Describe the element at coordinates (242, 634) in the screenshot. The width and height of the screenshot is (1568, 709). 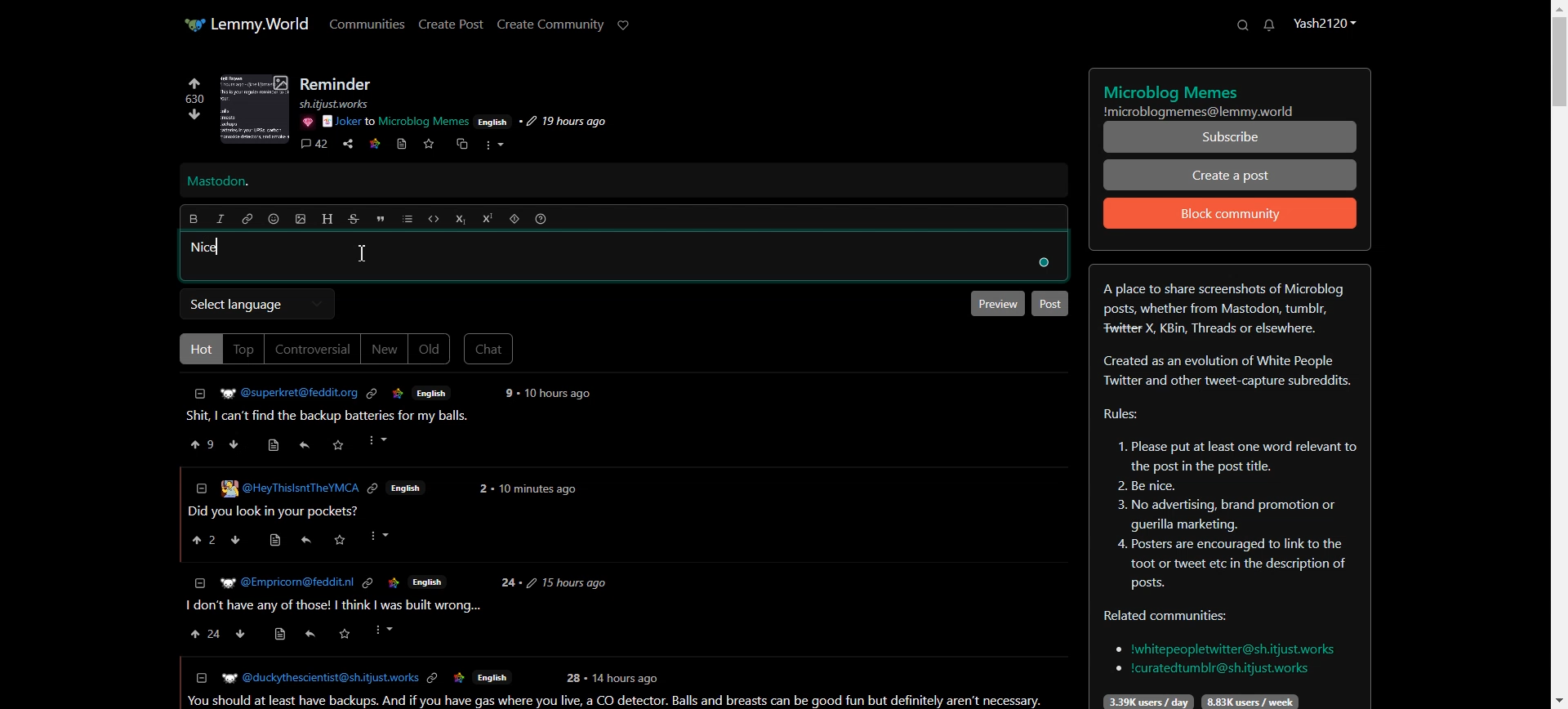
I see `` at that location.